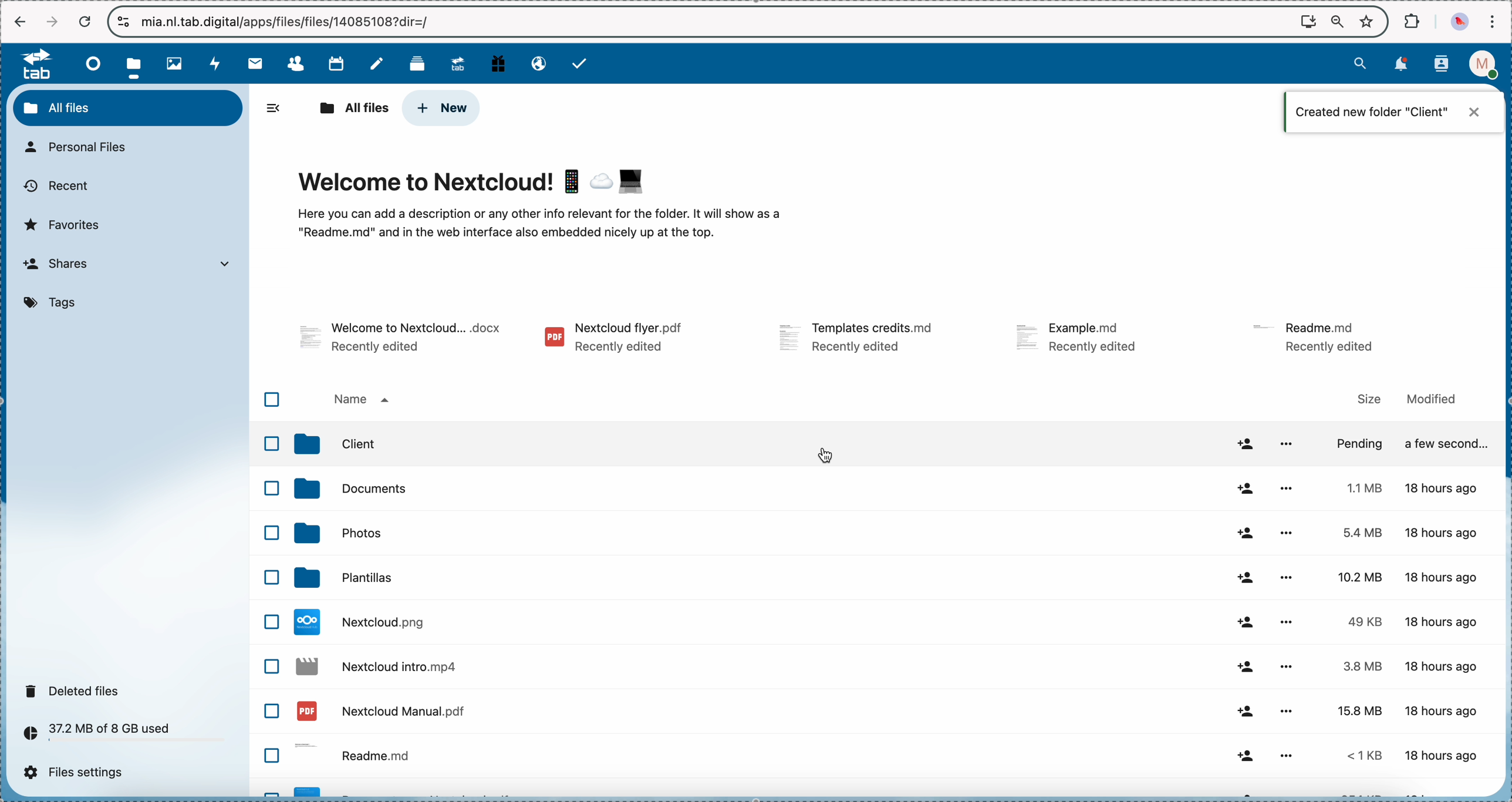 The width and height of the screenshot is (1512, 802). Describe the element at coordinates (124, 22) in the screenshot. I see `controls` at that location.